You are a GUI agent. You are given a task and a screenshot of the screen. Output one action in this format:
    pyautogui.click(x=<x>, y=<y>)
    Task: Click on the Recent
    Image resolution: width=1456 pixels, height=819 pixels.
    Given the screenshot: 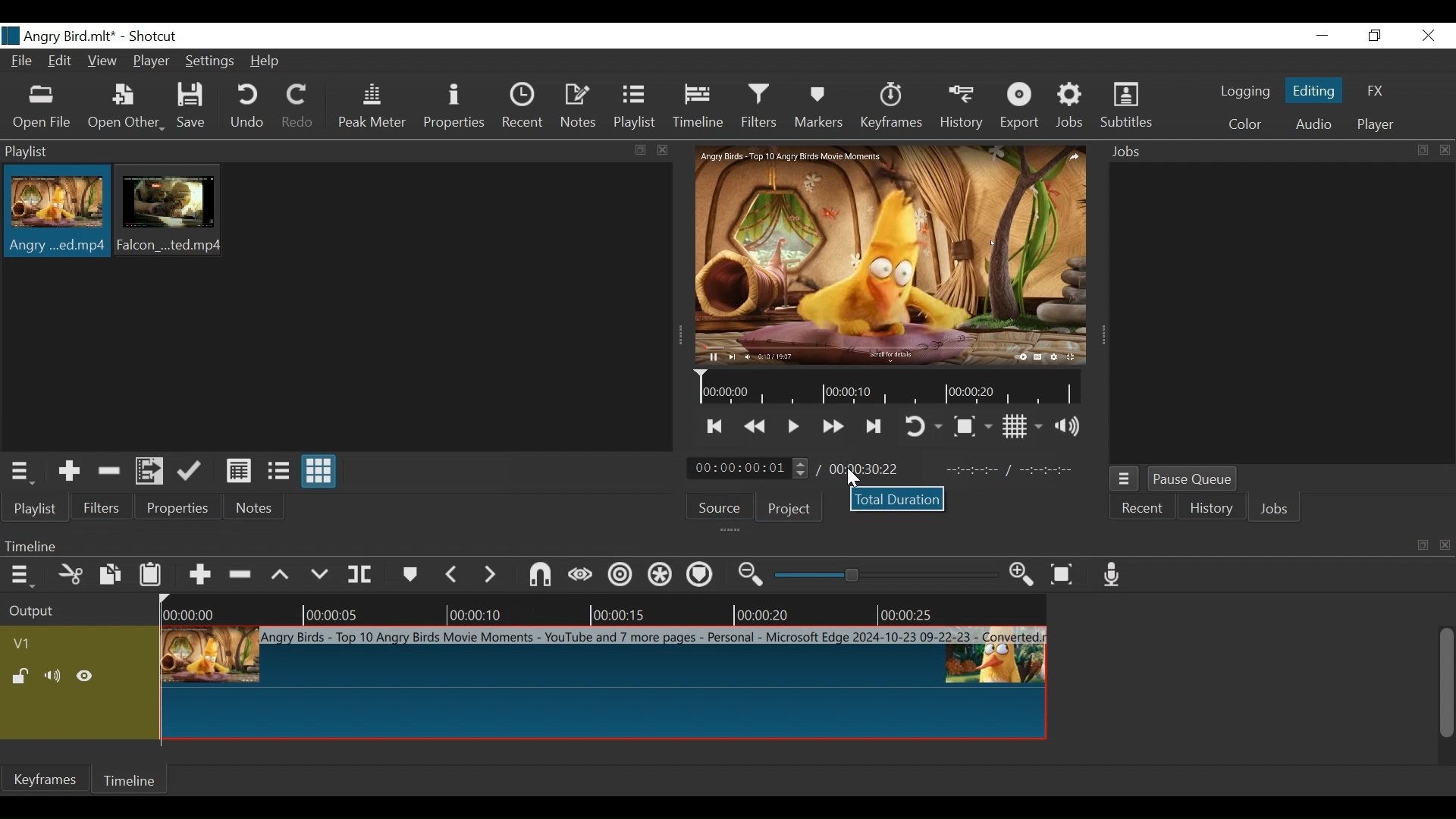 What is the action you would take?
    pyautogui.click(x=1141, y=510)
    